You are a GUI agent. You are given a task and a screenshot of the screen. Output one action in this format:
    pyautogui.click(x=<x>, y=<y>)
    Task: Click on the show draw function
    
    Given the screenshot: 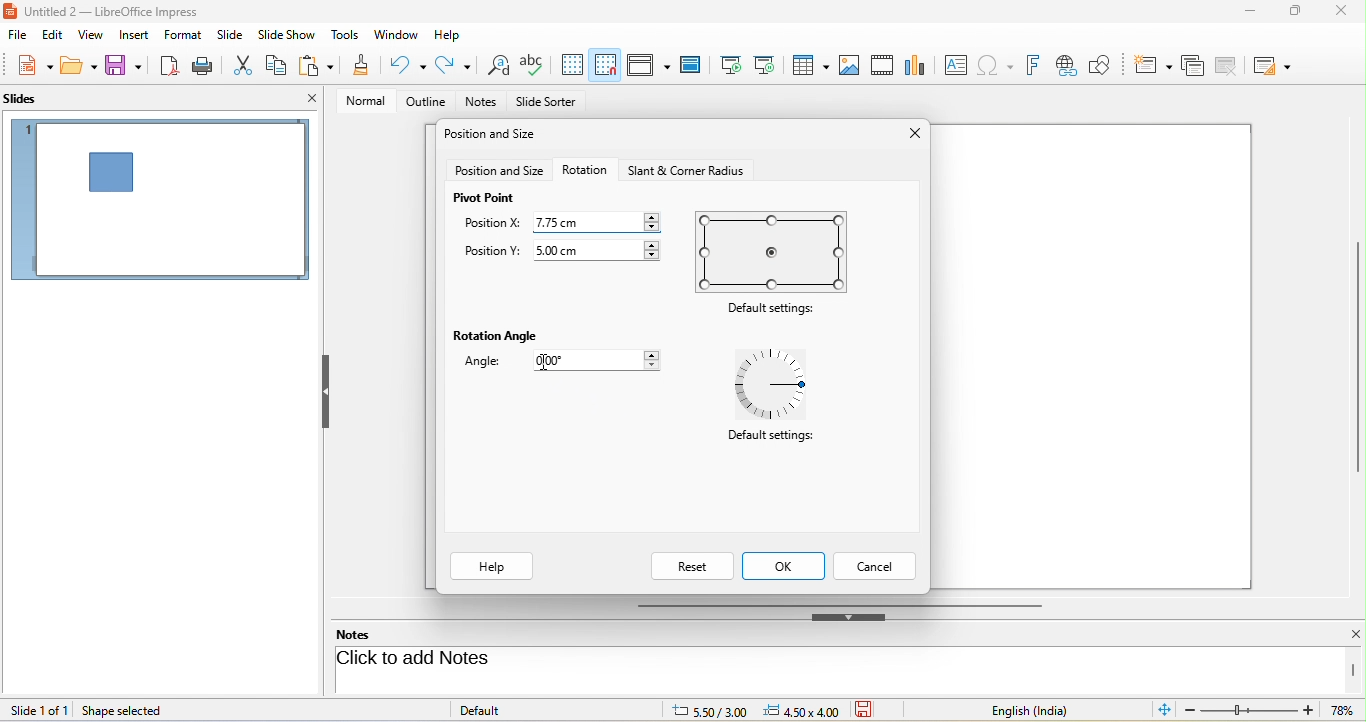 What is the action you would take?
    pyautogui.click(x=1109, y=63)
    